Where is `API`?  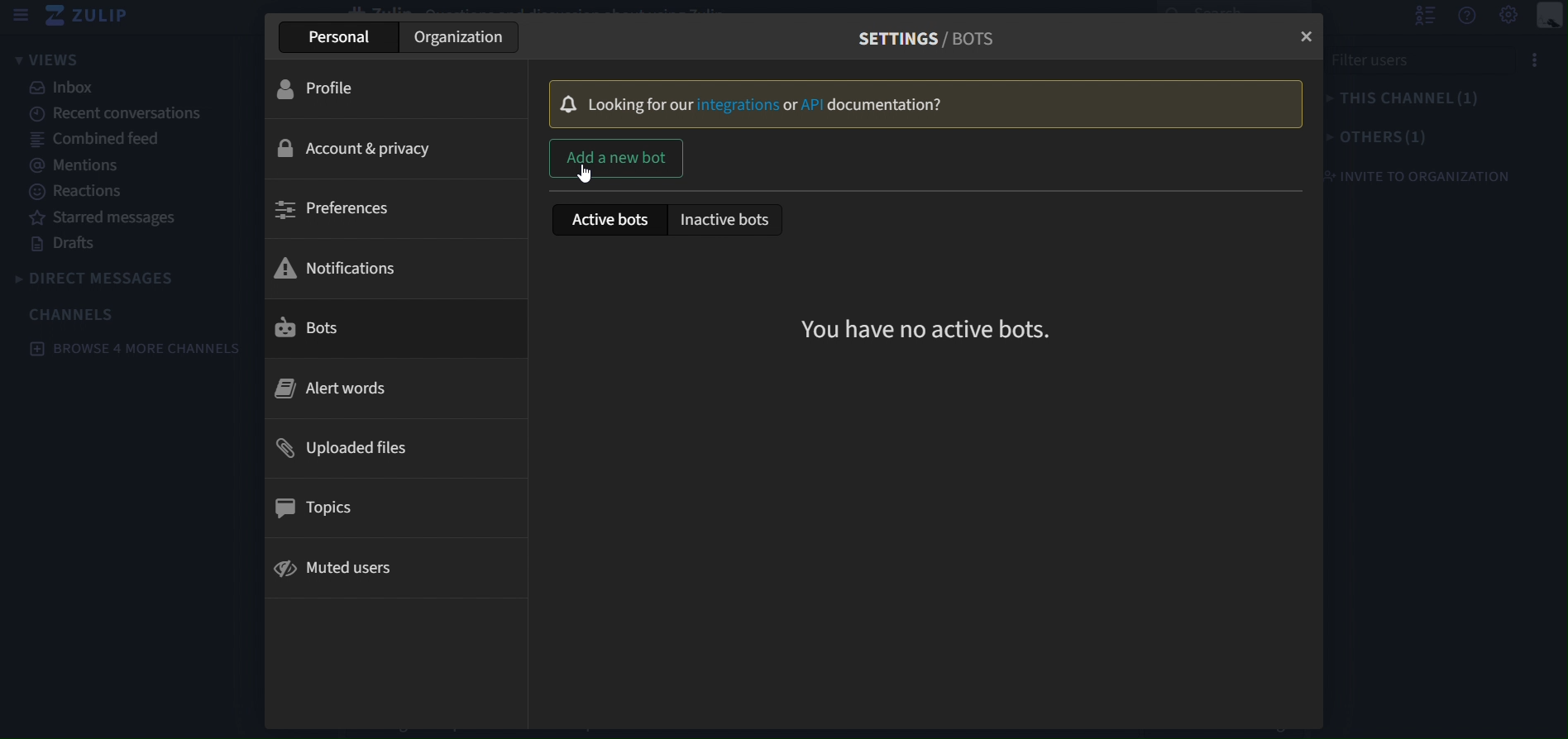
API is located at coordinates (814, 105).